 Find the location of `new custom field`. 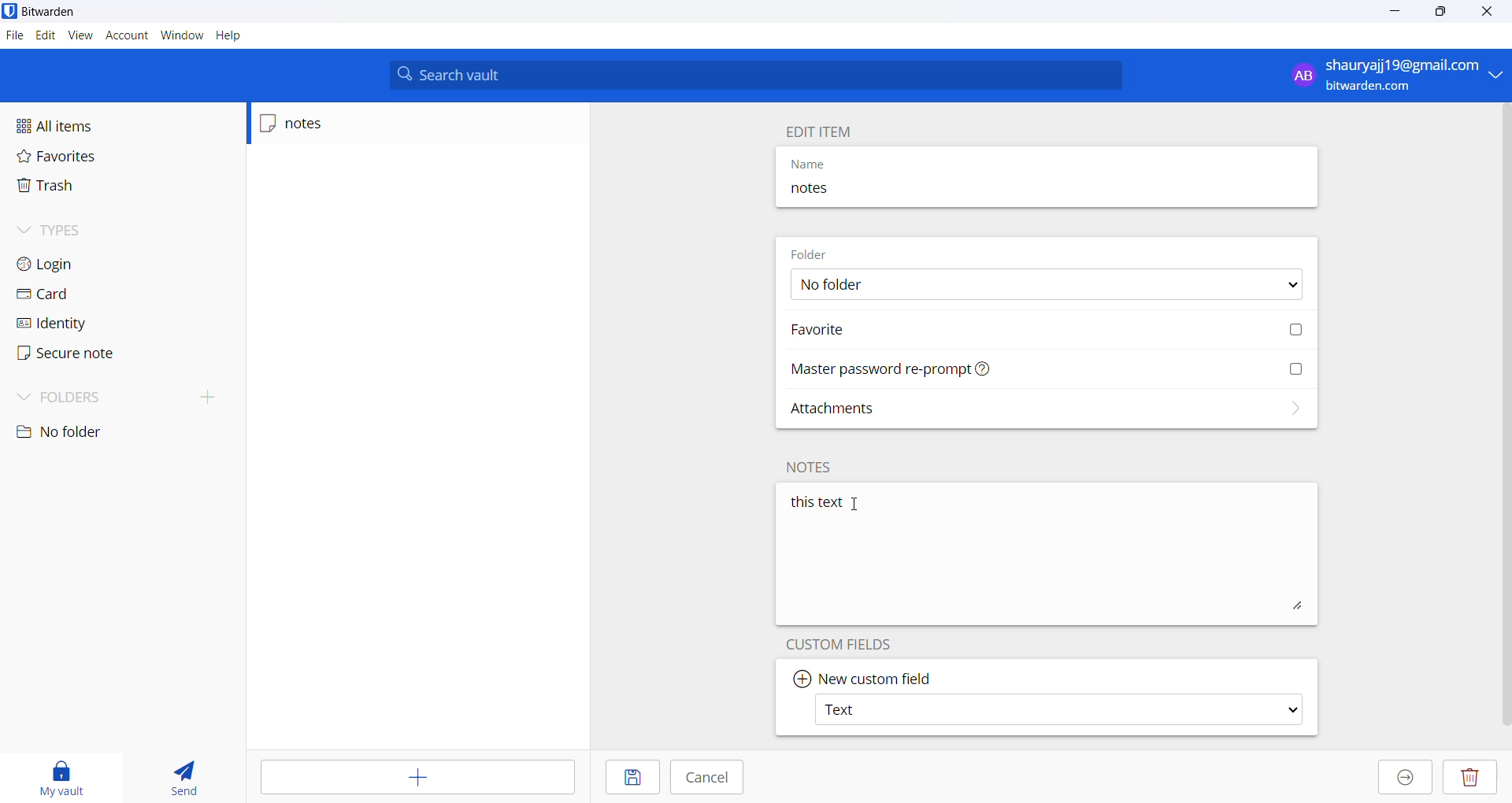

new custom field is located at coordinates (877, 677).